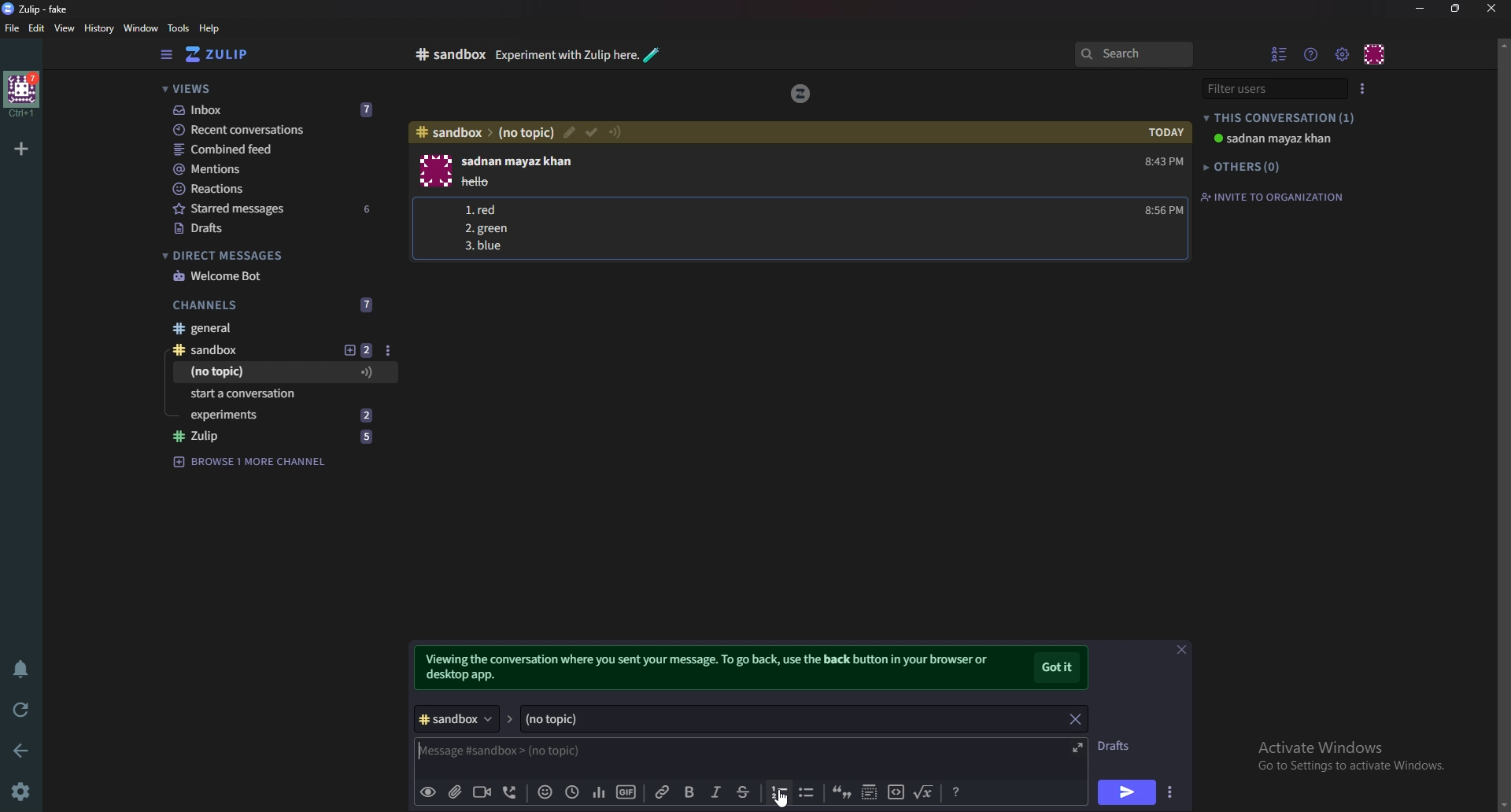 The width and height of the screenshot is (1511, 812). Describe the element at coordinates (279, 149) in the screenshot. I see `Combine feed` at that location.